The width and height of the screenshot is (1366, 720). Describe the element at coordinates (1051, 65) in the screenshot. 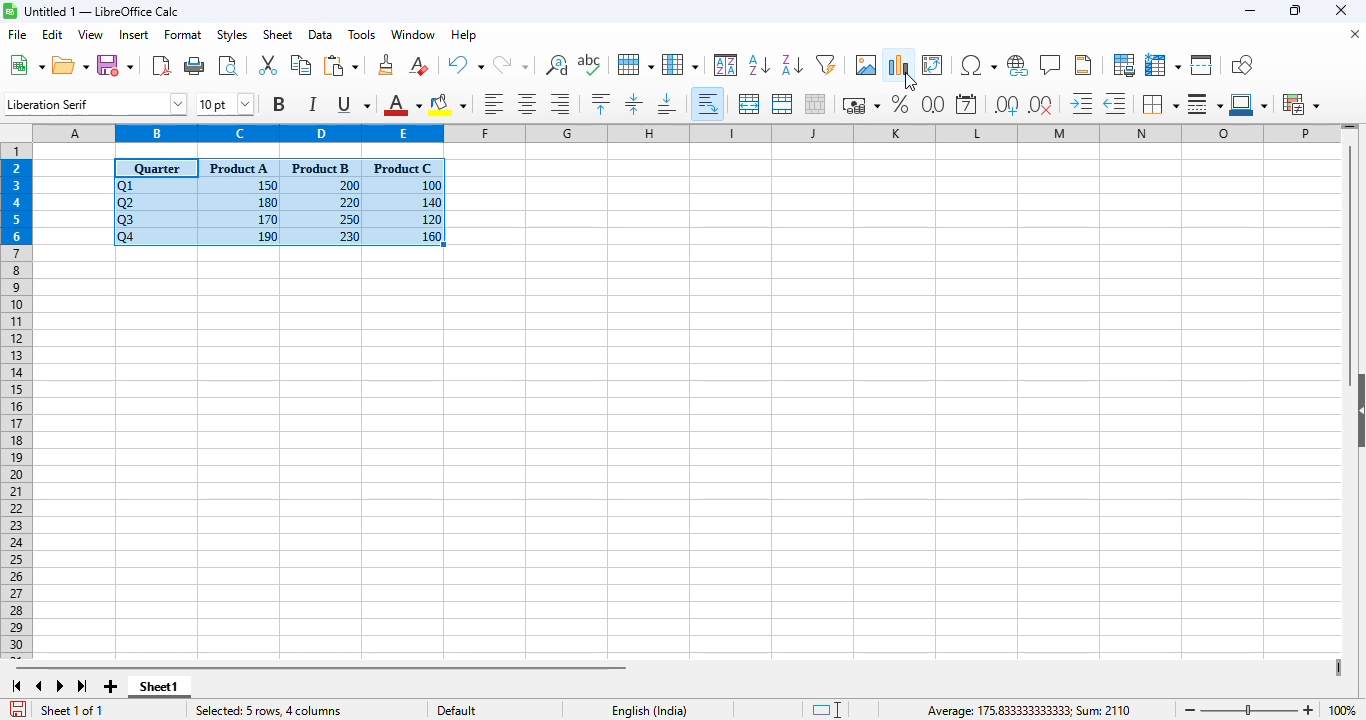

I see `insert comment` at that location.